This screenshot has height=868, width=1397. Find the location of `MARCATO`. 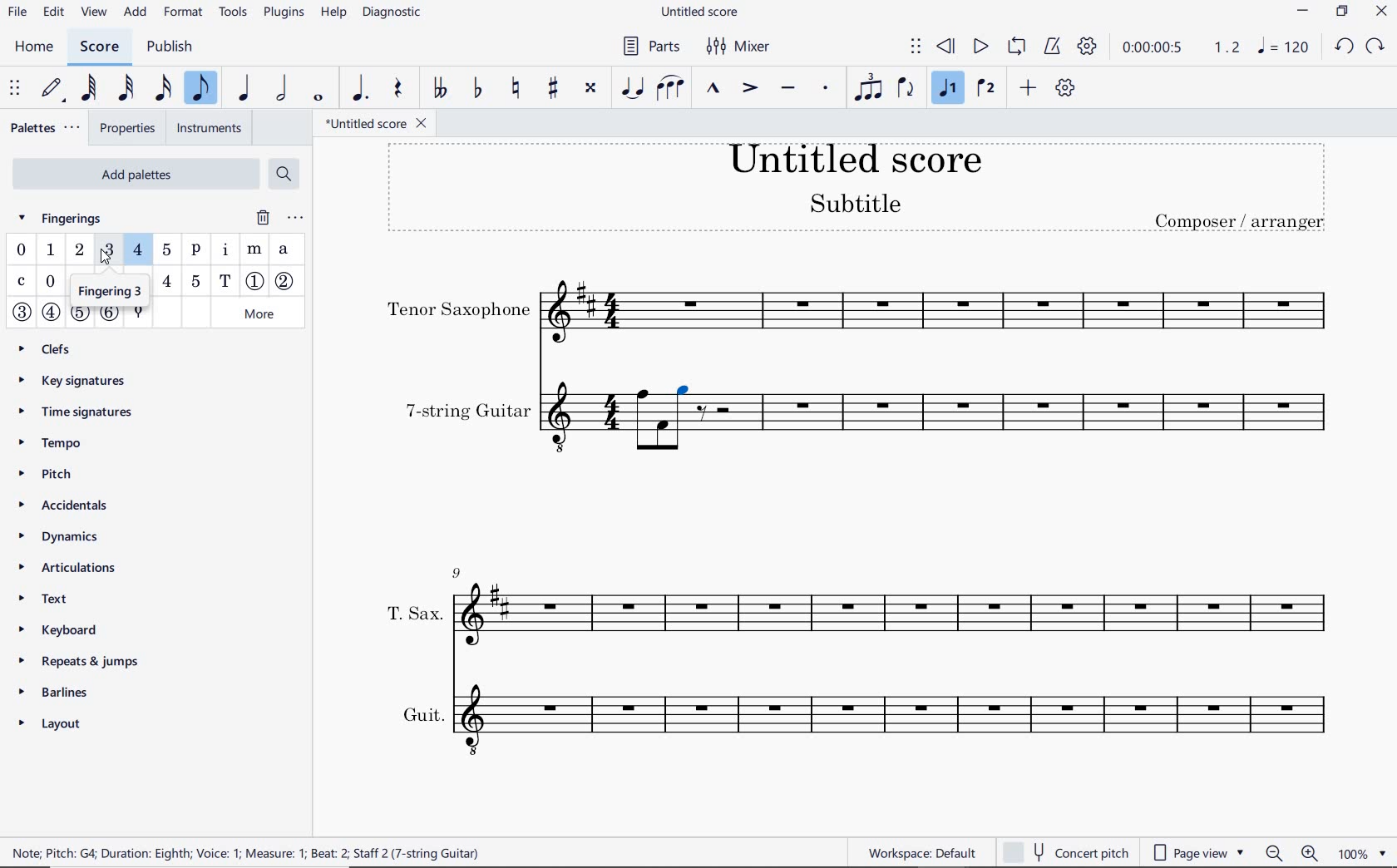

MARCATO is located at coordinates (713, 90).